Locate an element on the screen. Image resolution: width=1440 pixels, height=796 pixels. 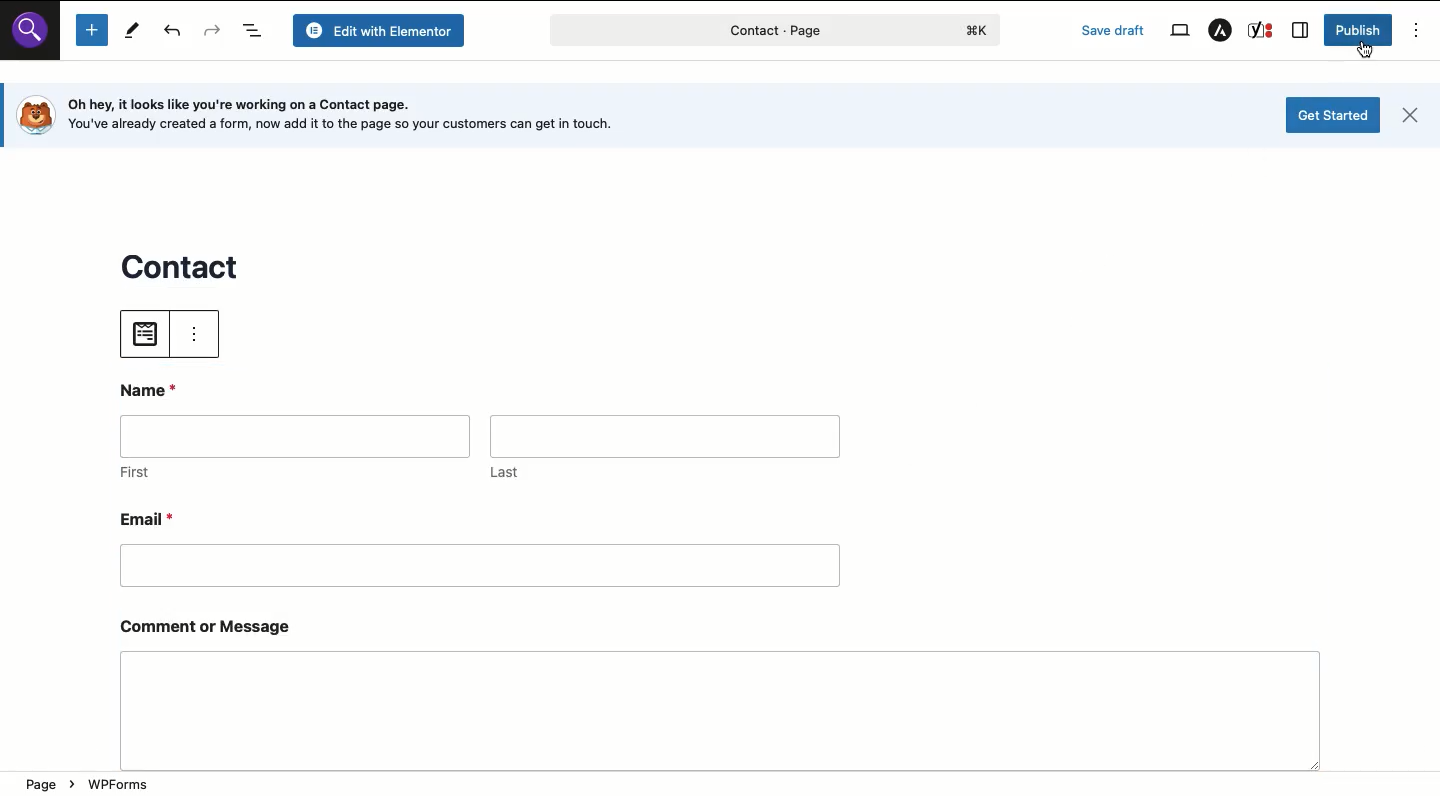
Comment or message is located at coordinates (721, 693).